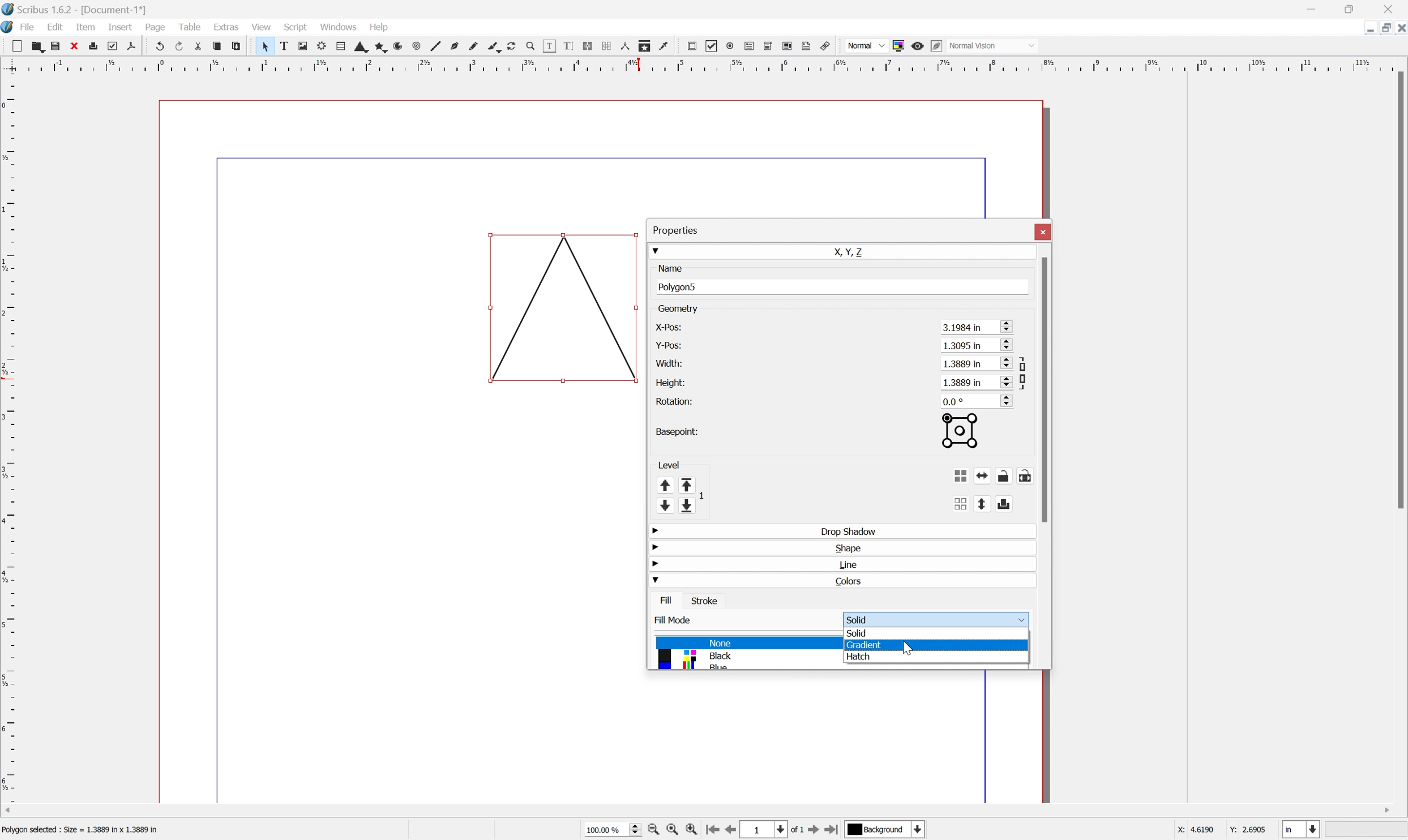 This screenshot has width=1408, height=840. Describe the element at coordinates (691, 47) in the screenshot. I see `PDF push button` at that location.